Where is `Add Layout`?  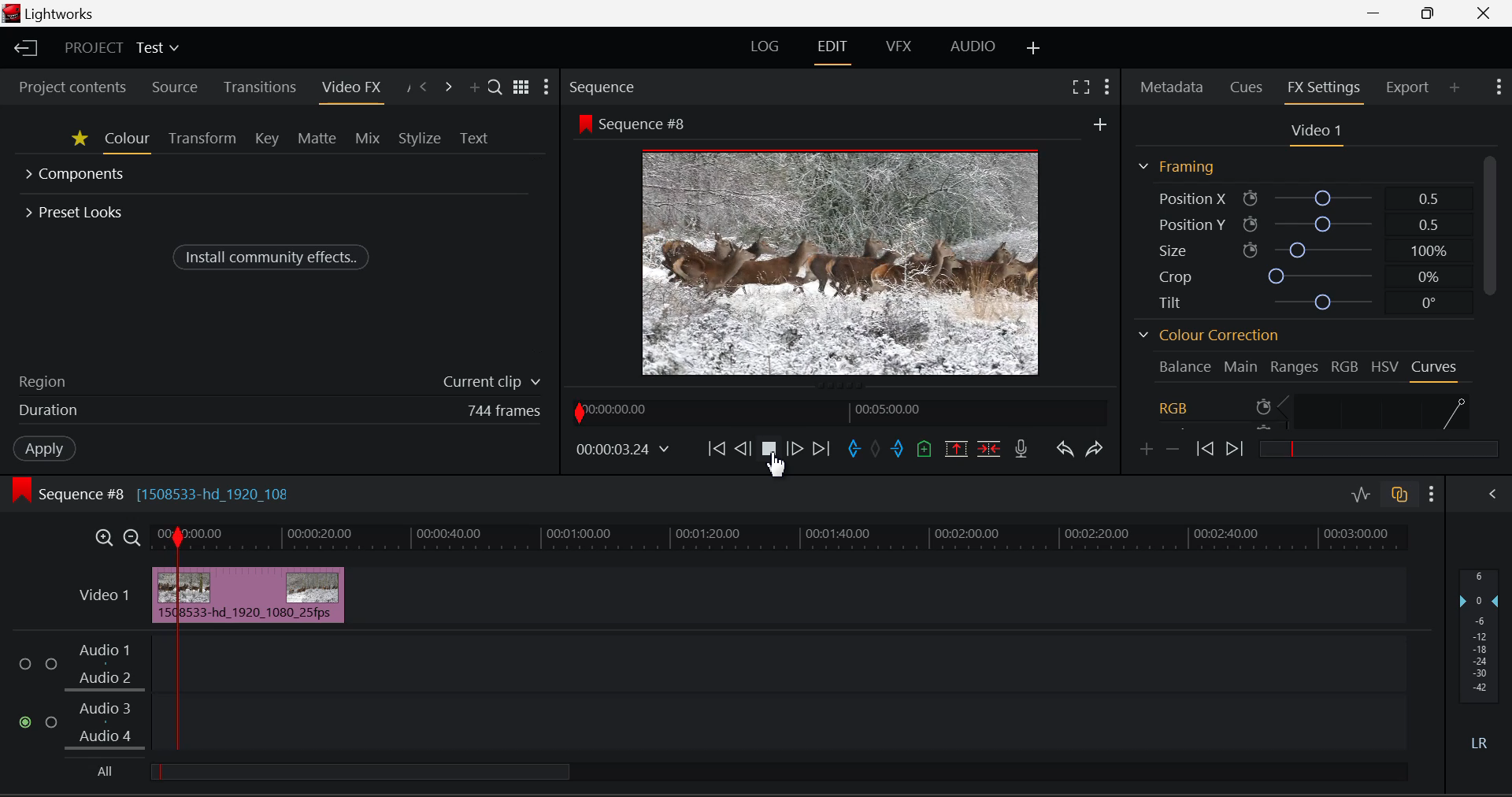
Add Layout is located at coordinates (1035, 50).